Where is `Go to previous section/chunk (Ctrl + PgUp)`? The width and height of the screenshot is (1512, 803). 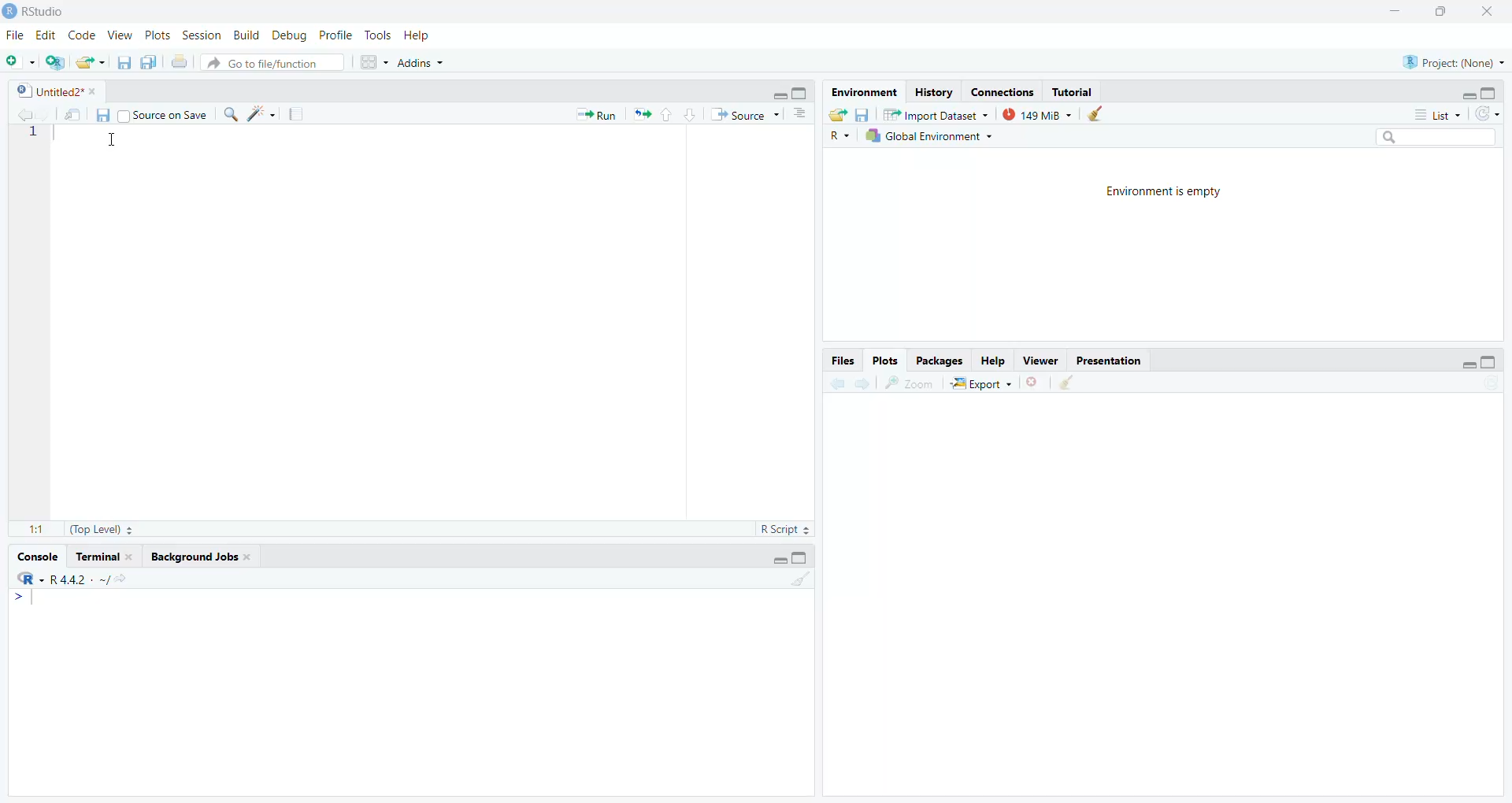 Go to previous section/chunk (Ctrl + PgUp) is located at coordinates (669, 112).